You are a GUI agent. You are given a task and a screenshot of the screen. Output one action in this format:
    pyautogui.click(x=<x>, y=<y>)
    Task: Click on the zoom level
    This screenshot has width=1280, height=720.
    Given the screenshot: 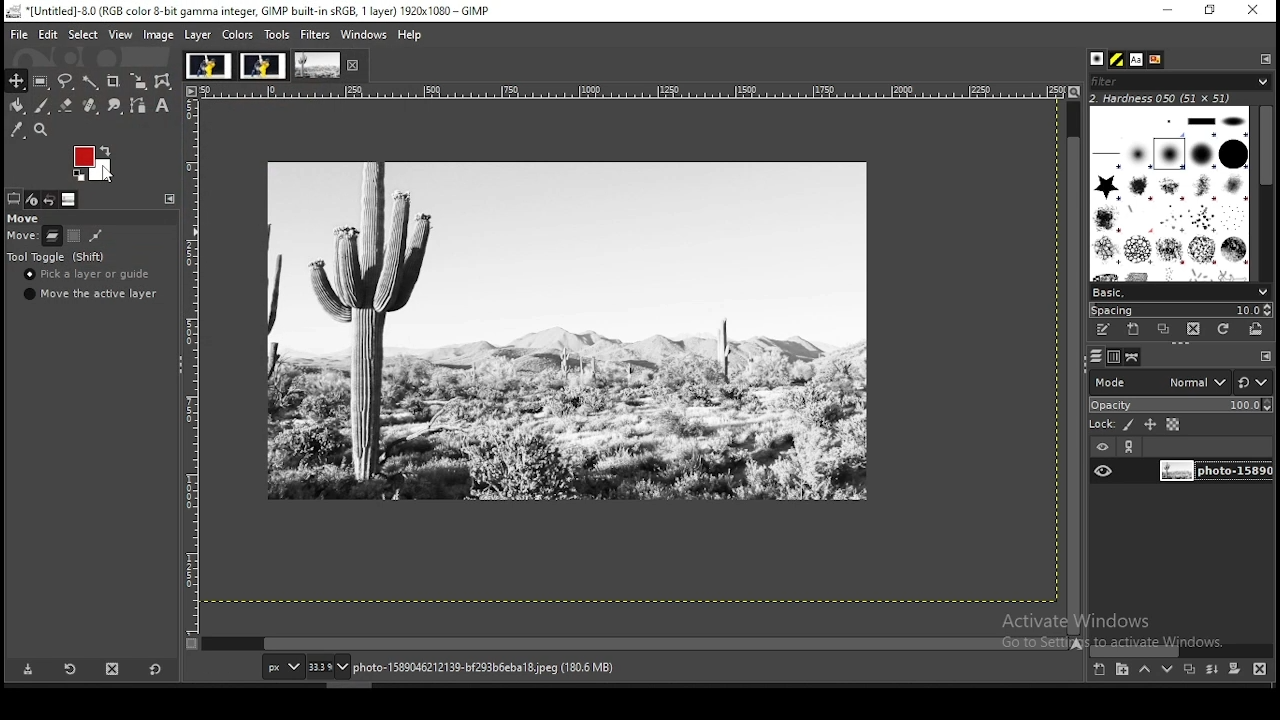 What is the action you would take?
    pyautogui.click(x=329, y=666)
    